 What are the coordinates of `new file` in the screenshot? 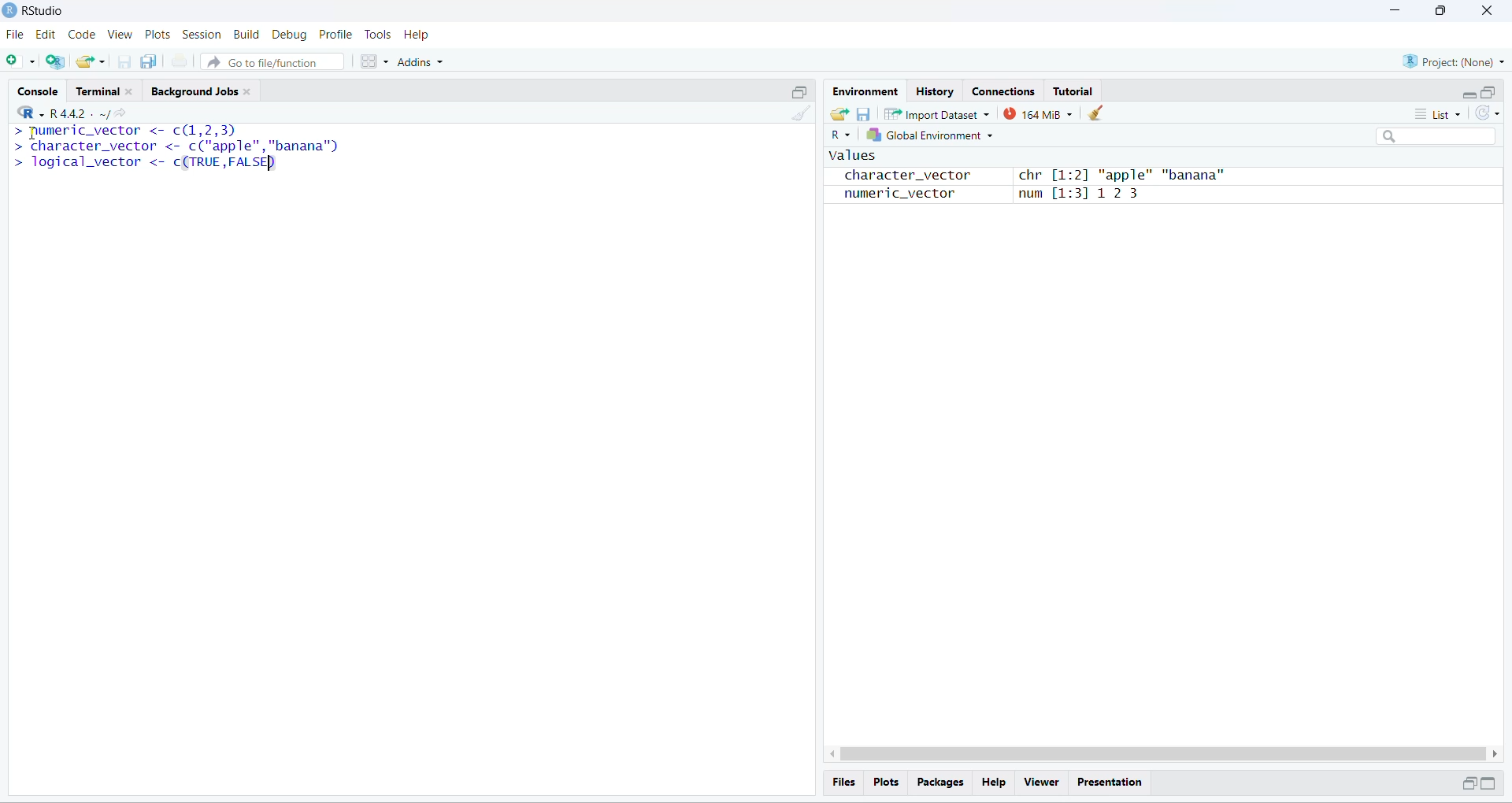 It's located at (17, 59).